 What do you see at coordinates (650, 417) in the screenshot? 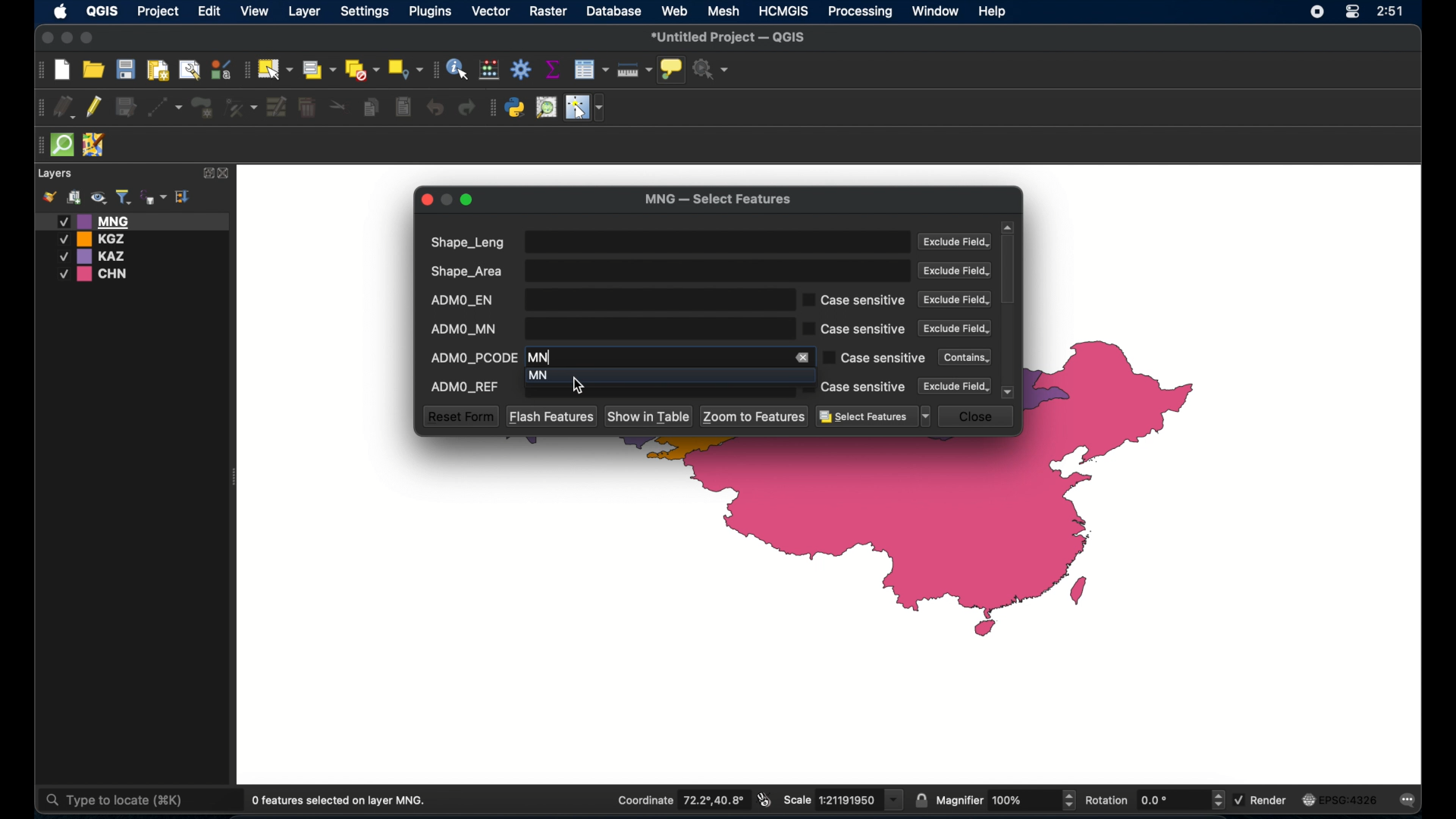
I see `show in table` at bounding box center [650, 417].